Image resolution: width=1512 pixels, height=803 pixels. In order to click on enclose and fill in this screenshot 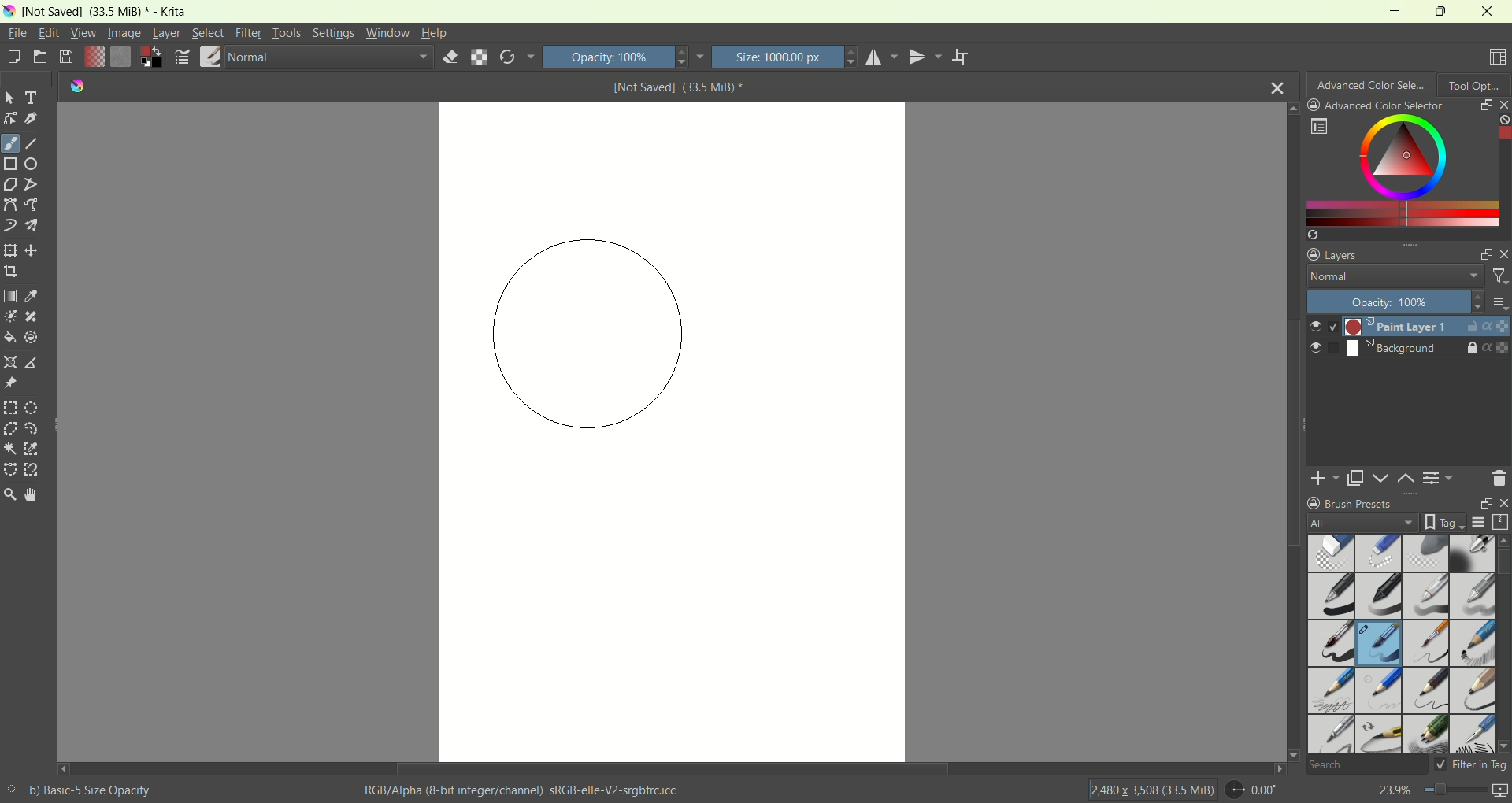, I will do `click(31, 339)`.